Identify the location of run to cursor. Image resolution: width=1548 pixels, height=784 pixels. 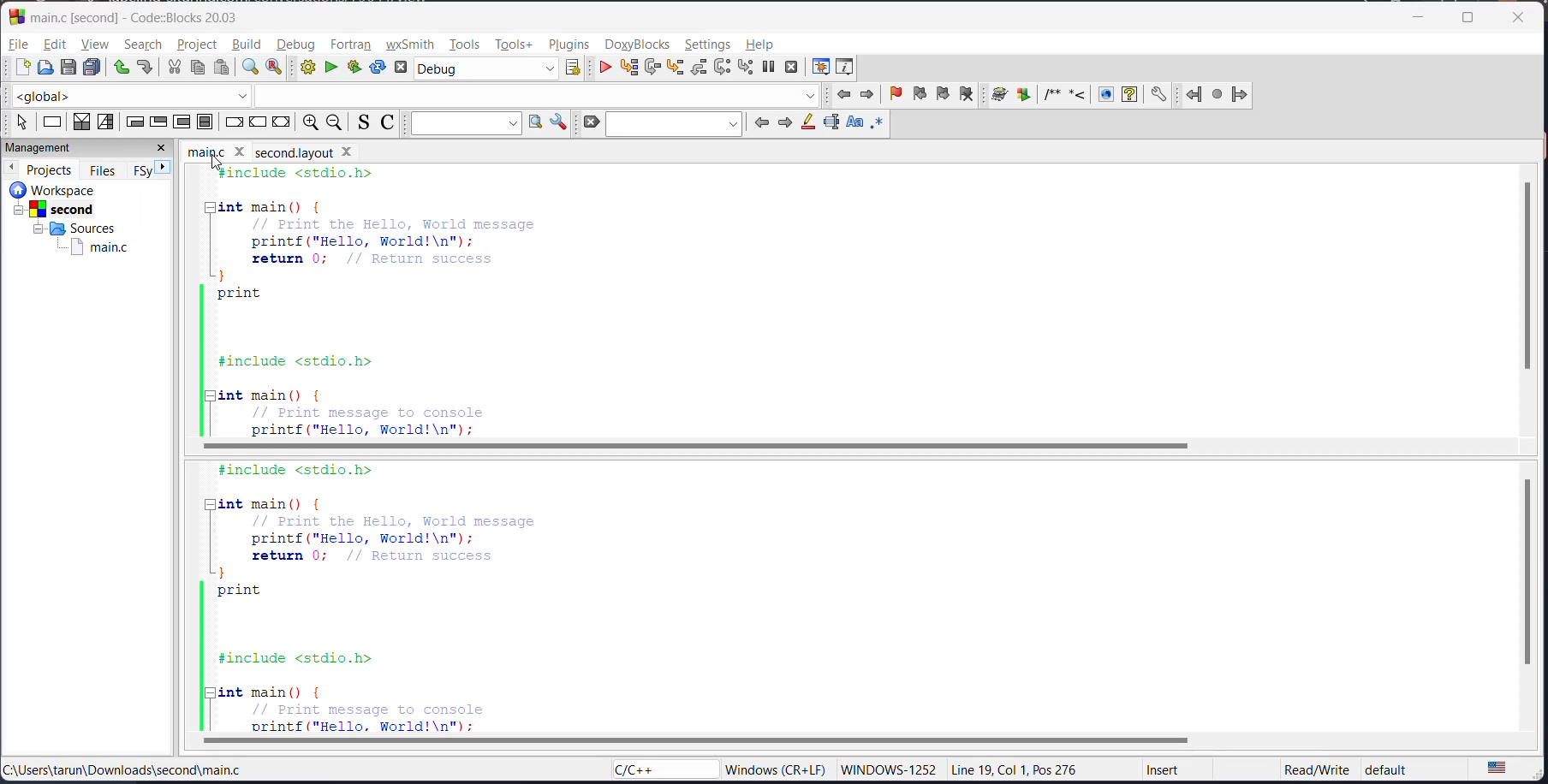
(631, 68).